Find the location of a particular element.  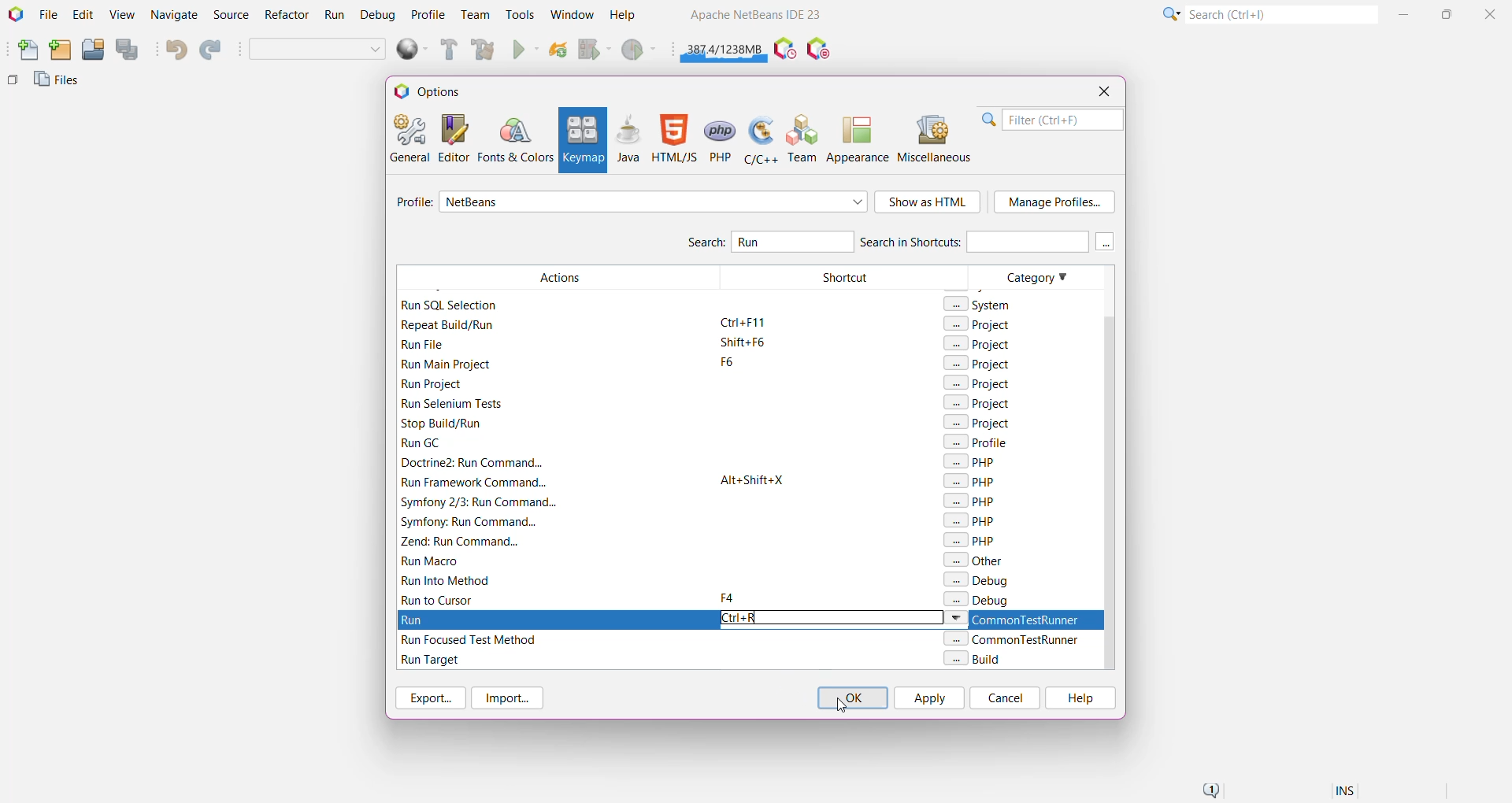

Pause IDE profiling and take a Snapshot is located at coordinates (785, 50).